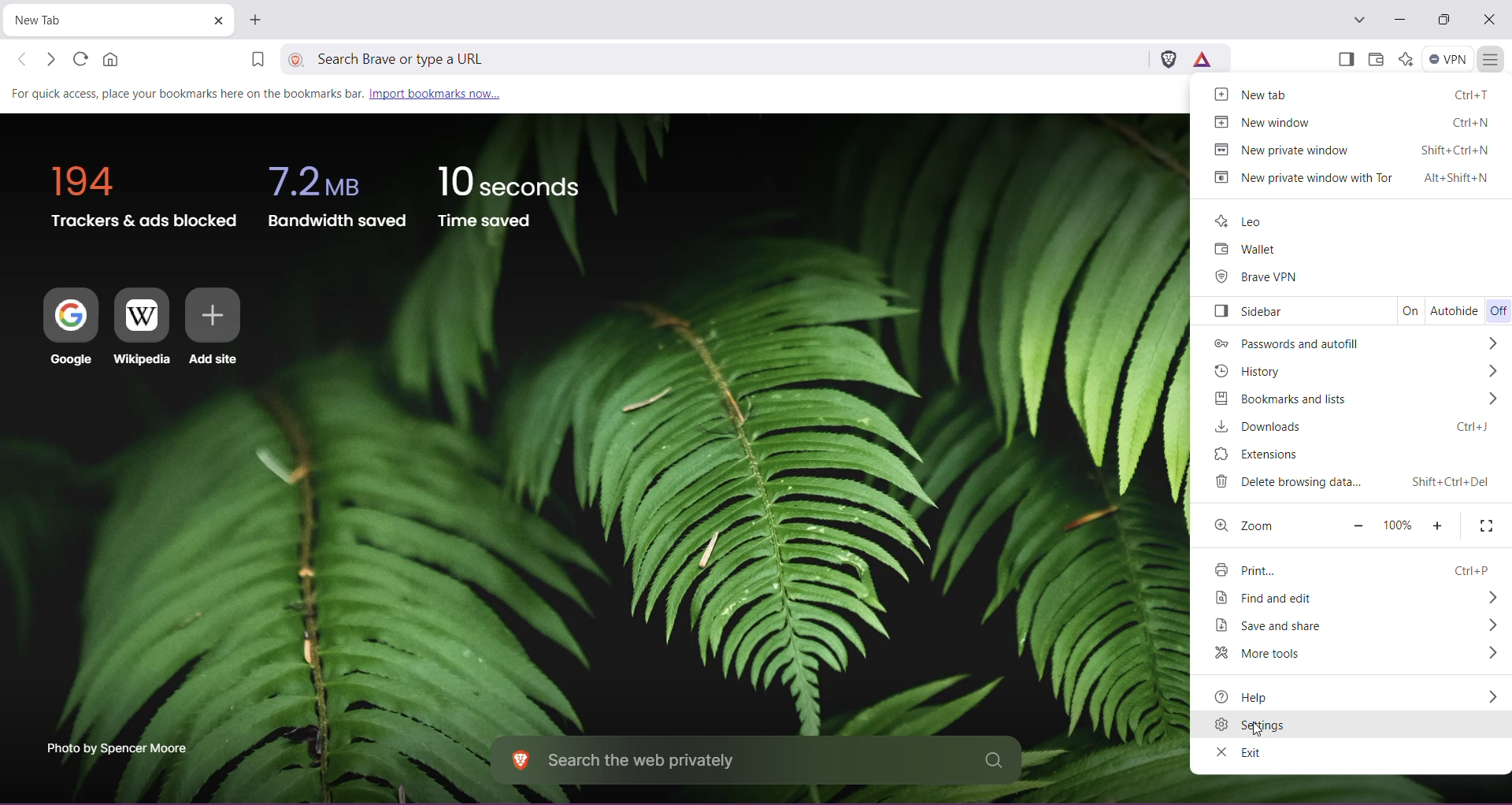 Image resolution: width=1512 pixels, height=805 pixels. I want to click on Leo, so click(1242, 221).